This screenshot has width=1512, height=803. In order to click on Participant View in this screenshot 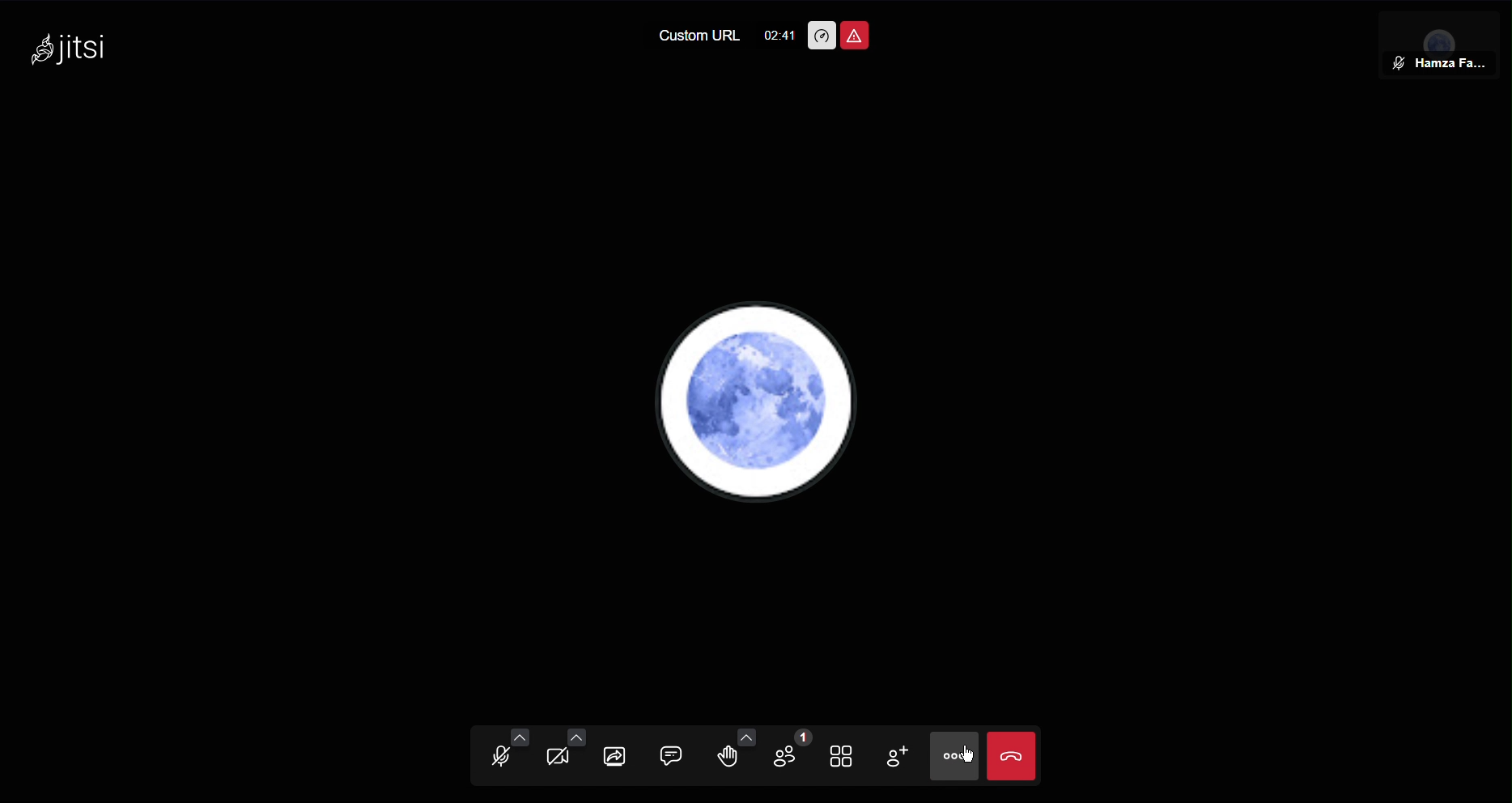, I will do `click(1445, 40)`.